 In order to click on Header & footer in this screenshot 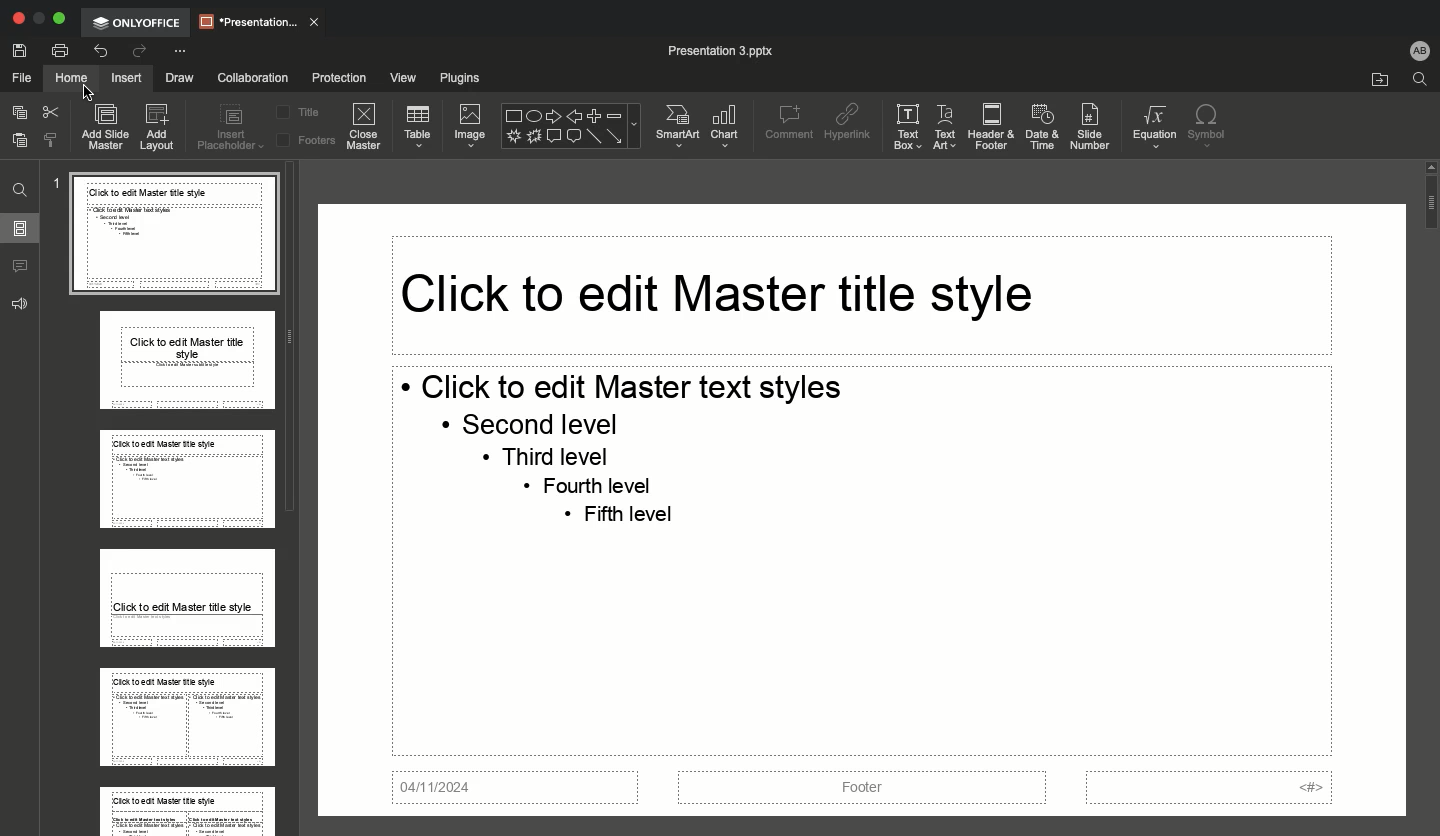, I will do `click(989, 126)`.